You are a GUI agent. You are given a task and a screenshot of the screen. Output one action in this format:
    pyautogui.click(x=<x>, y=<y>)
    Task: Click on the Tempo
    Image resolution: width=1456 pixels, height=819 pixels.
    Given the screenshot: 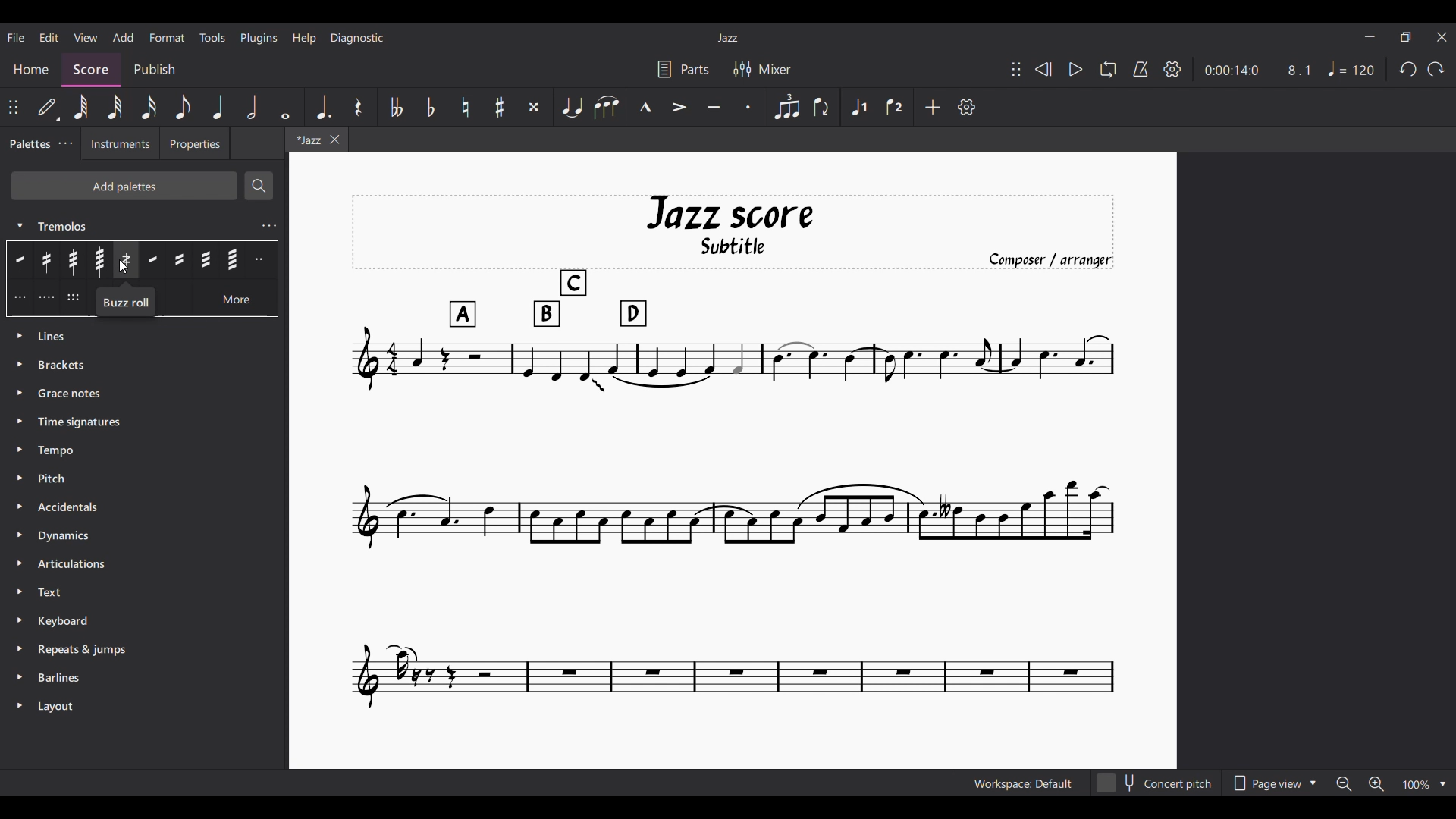 What is the action you would take?
    pyautogui.click(x=1351, y=68)
    